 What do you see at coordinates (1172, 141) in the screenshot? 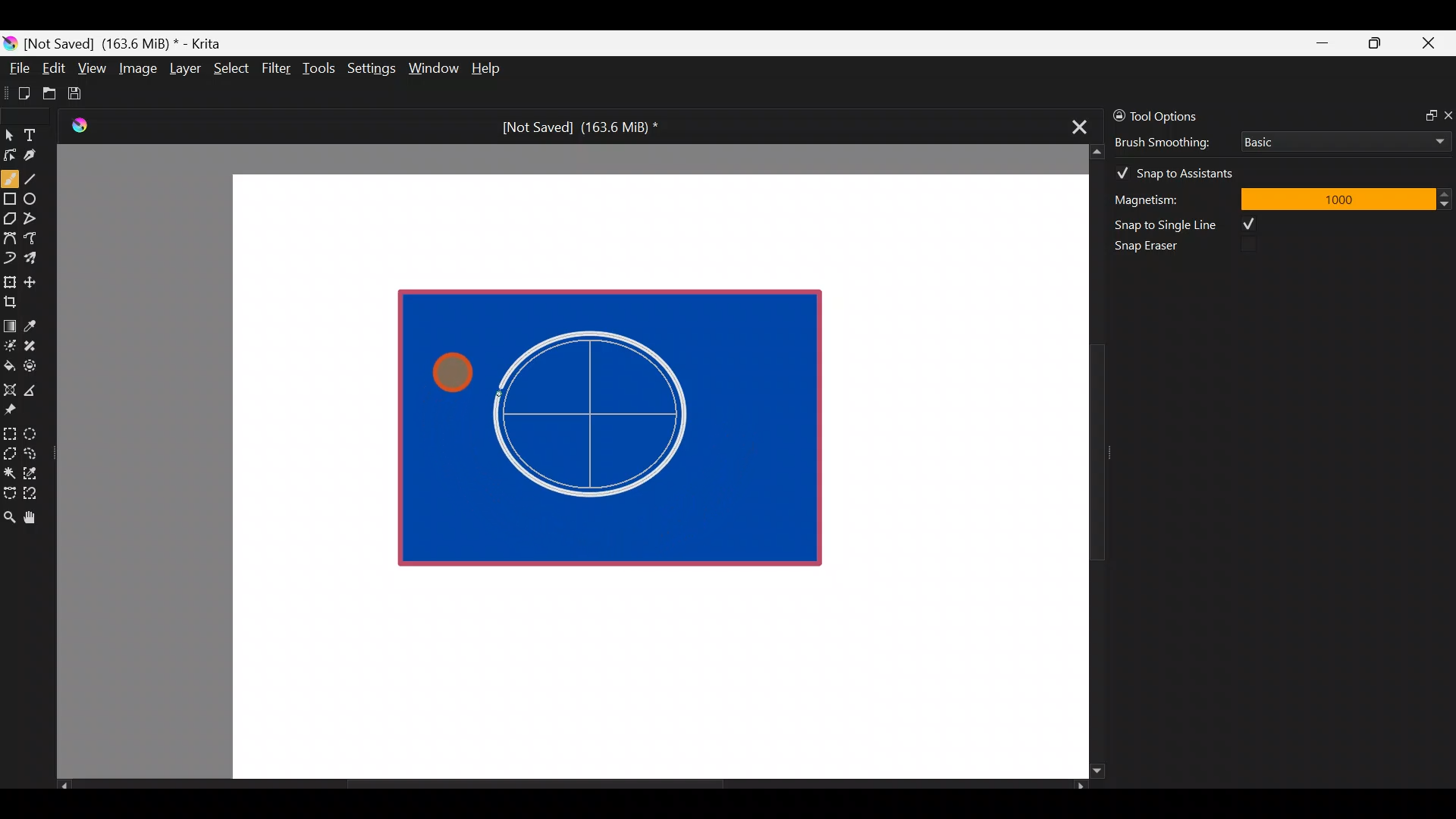
I see `Brush smoothing` at bounding box center [1172, 141].